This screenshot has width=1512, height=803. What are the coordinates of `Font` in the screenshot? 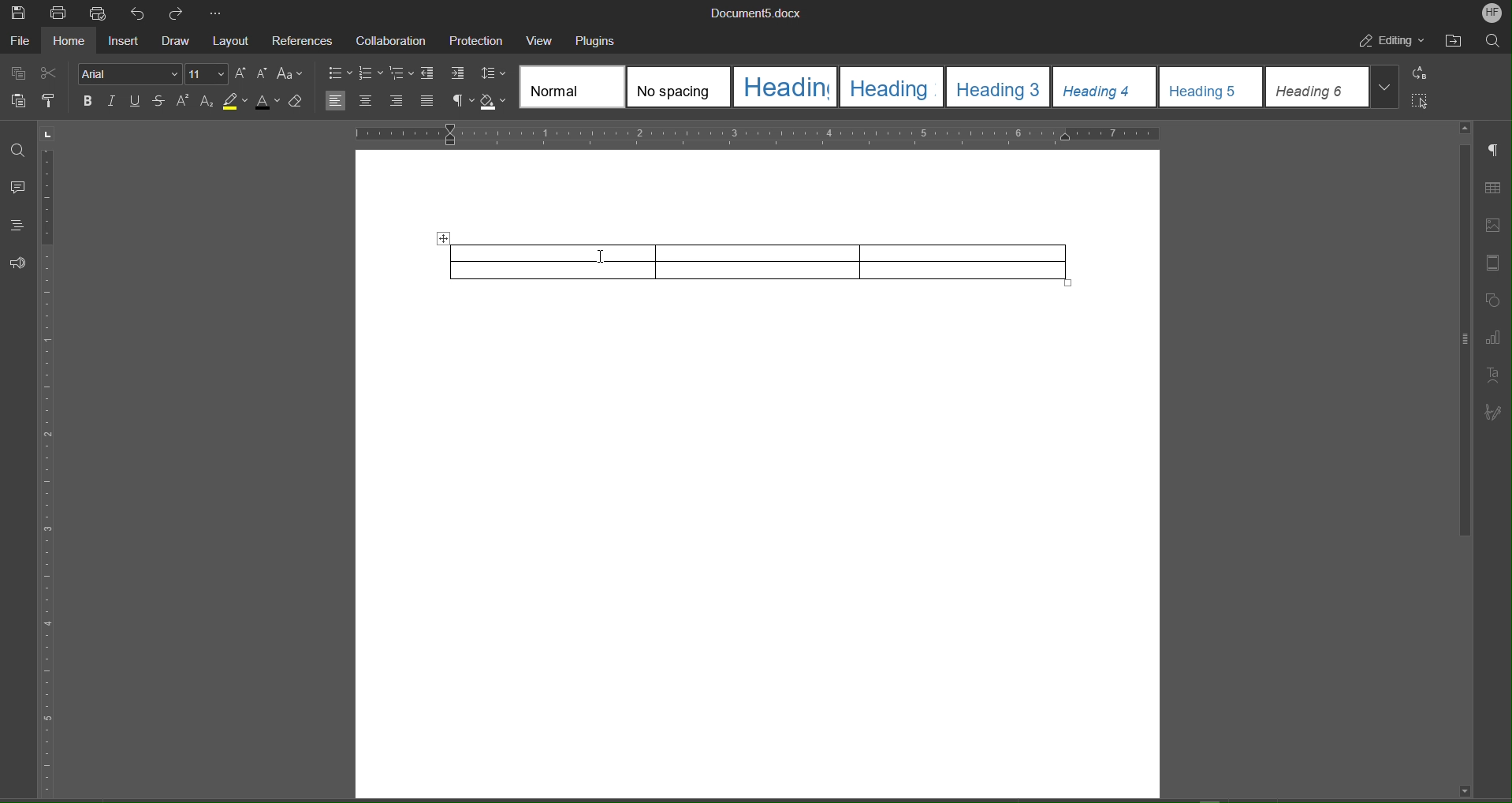 It's located at (128, 75).